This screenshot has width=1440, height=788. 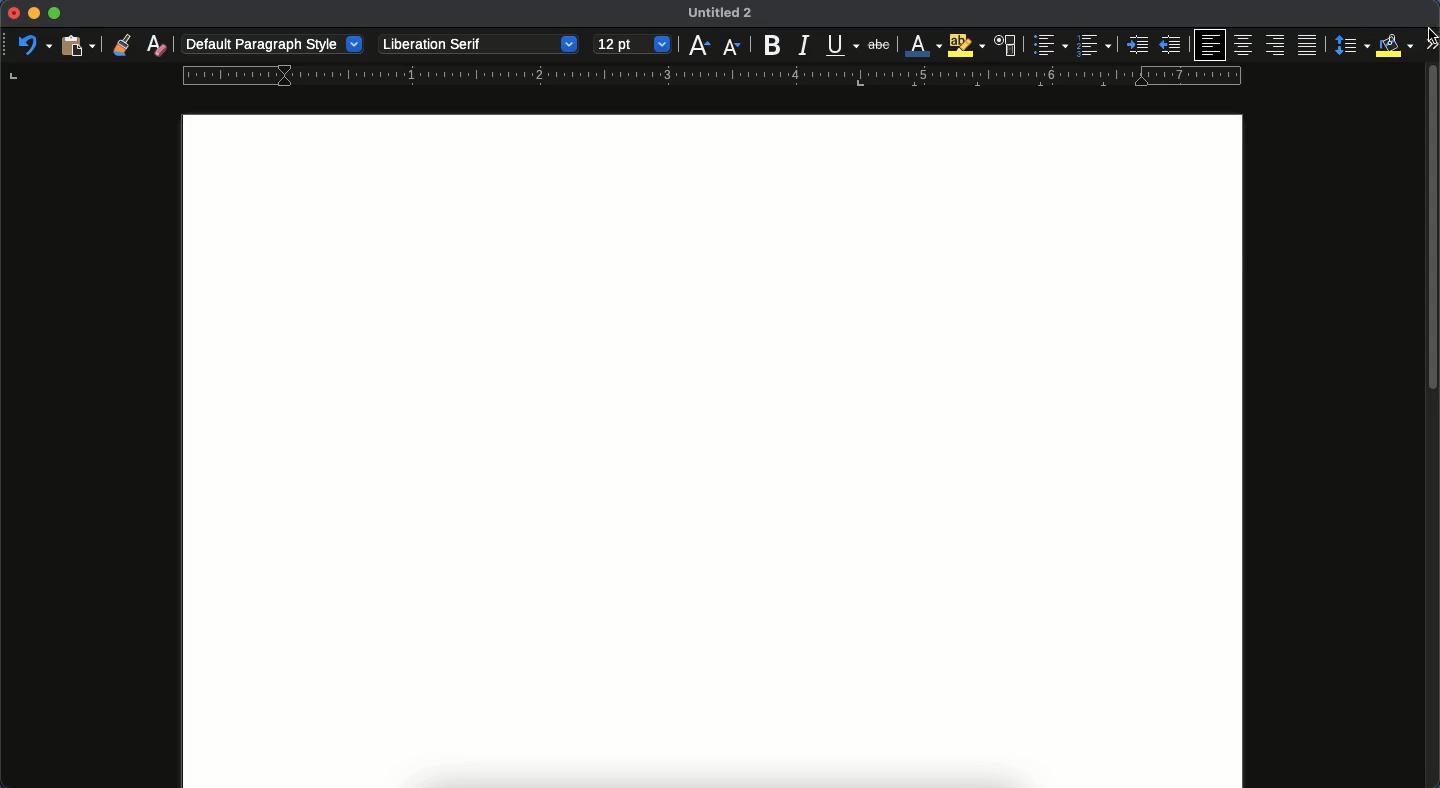 I want to click on close, so click(x=13, y=13).